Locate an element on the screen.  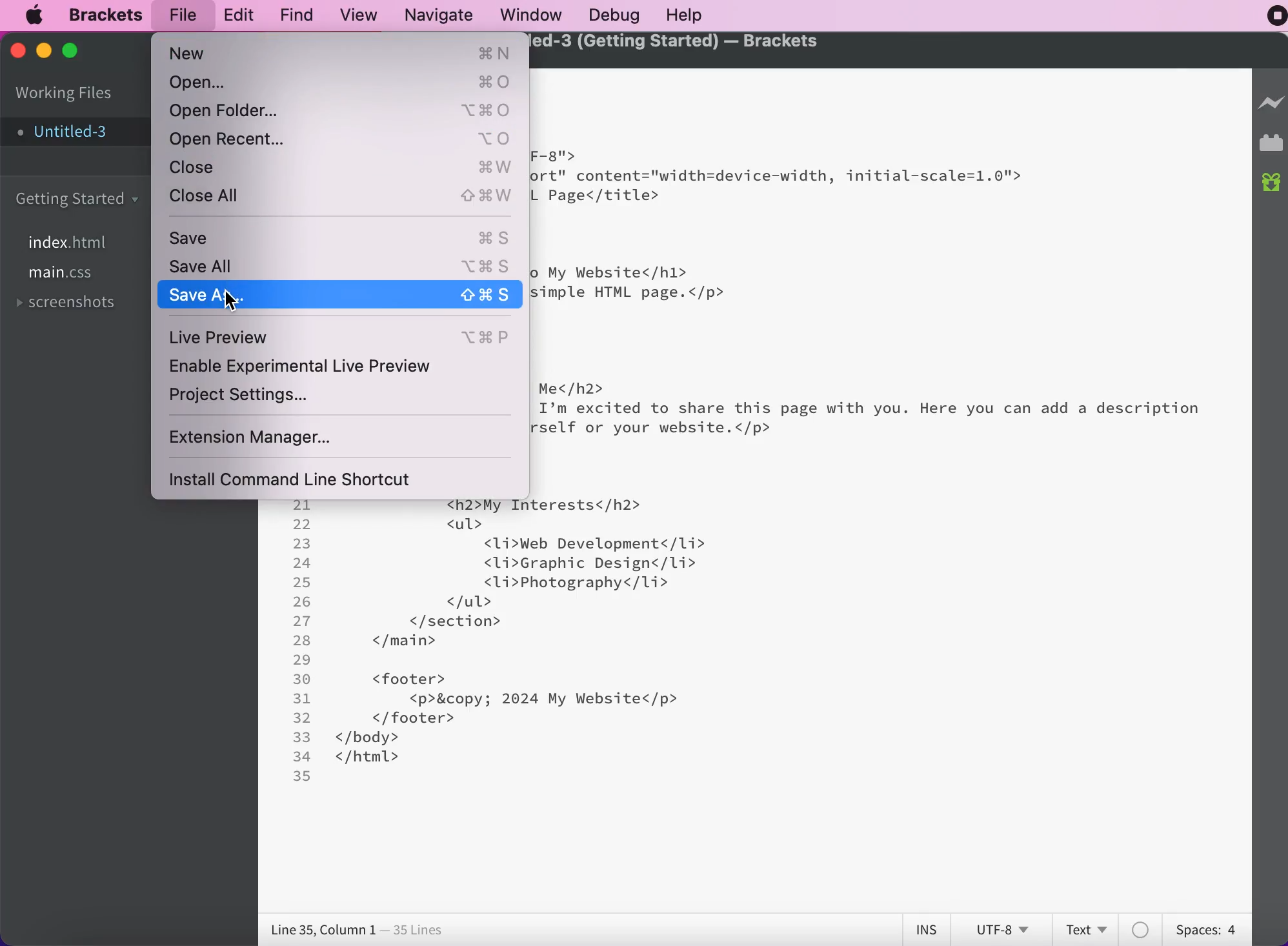
30 is located at coordinates (302, 679).